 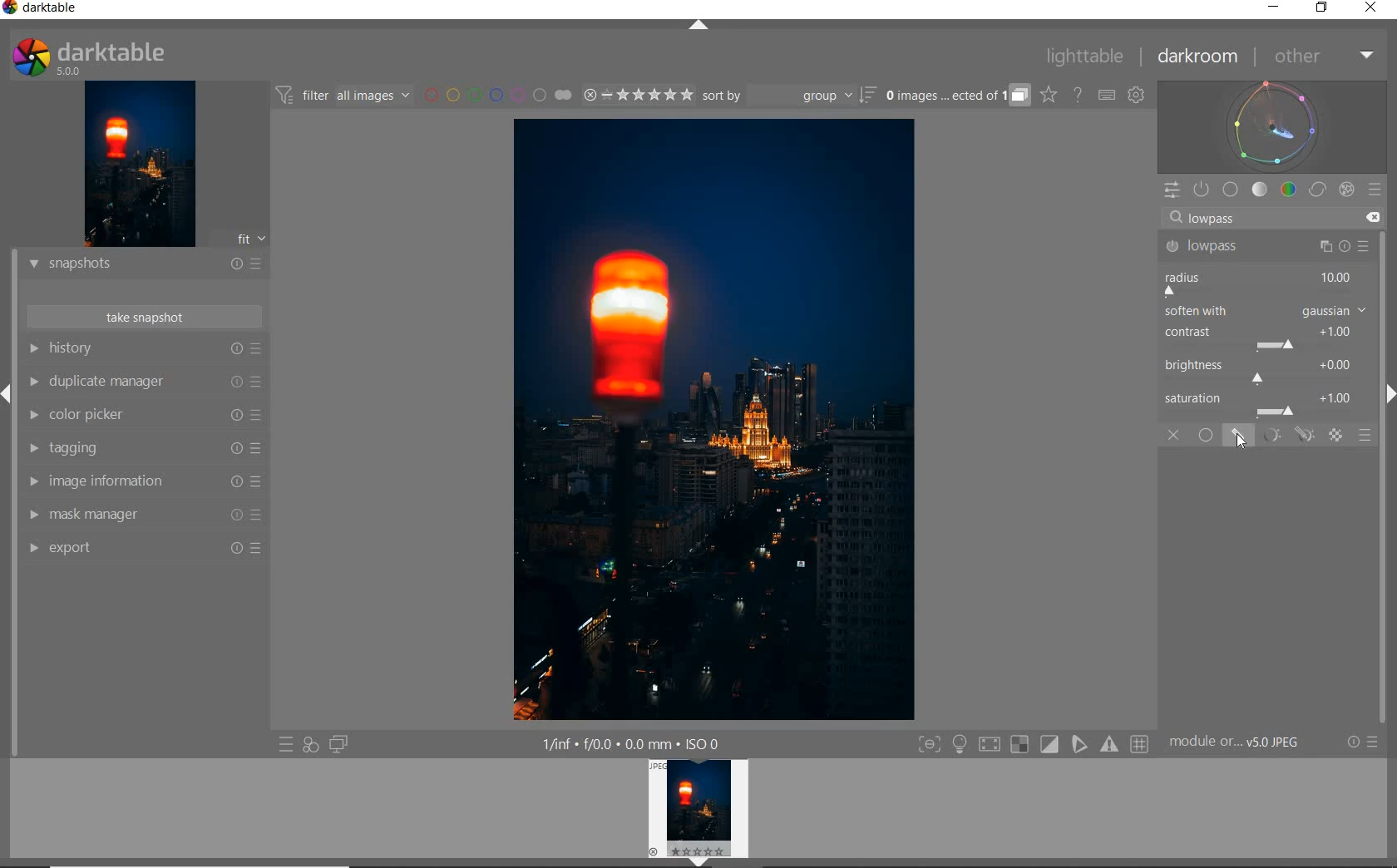 I want to click on Reset, so click(x=234, y=417).